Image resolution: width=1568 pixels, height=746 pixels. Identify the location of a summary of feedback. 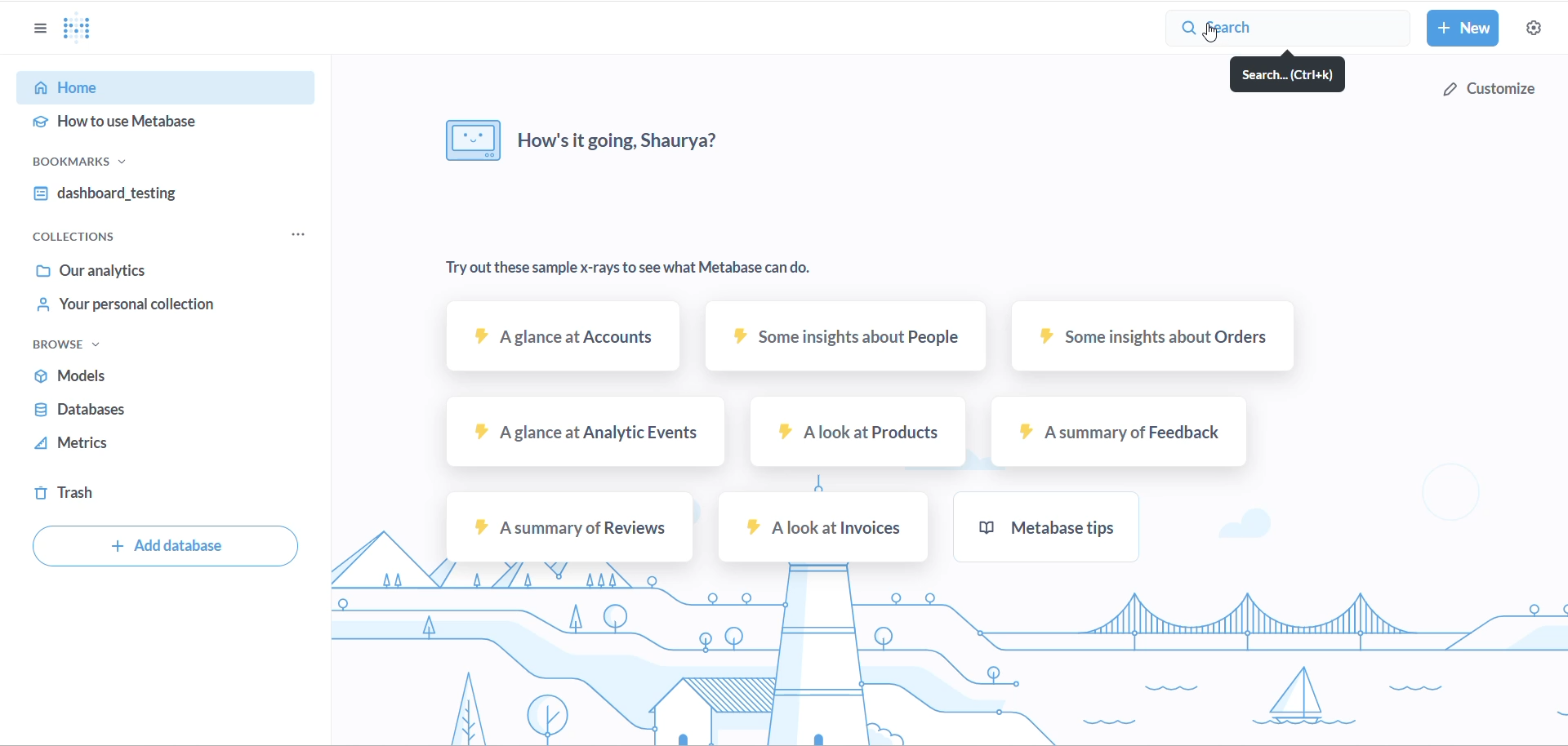
(1111, 432).